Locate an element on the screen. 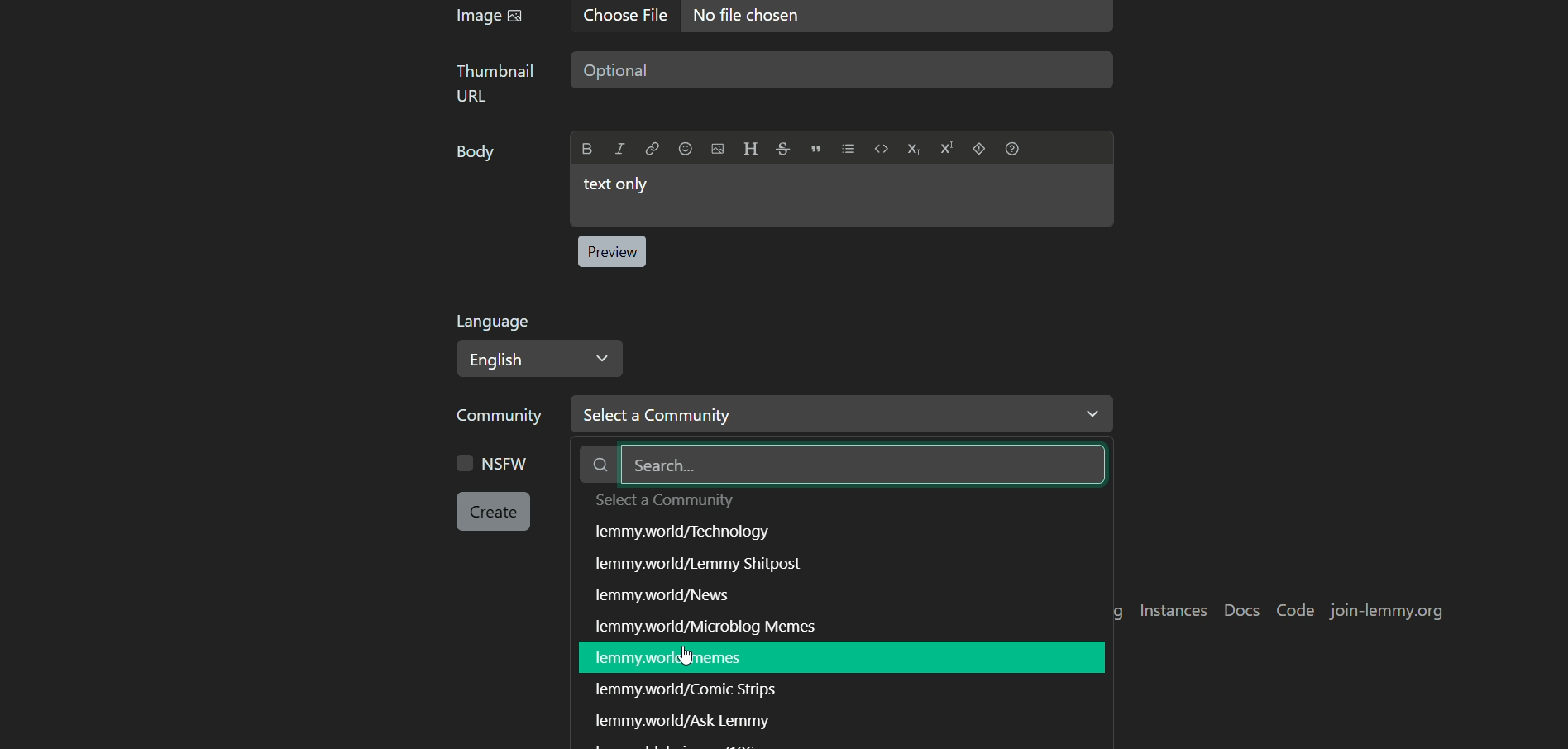 This screenshot has width=1568, height=749. Select language is located at coordinates (540, 359).